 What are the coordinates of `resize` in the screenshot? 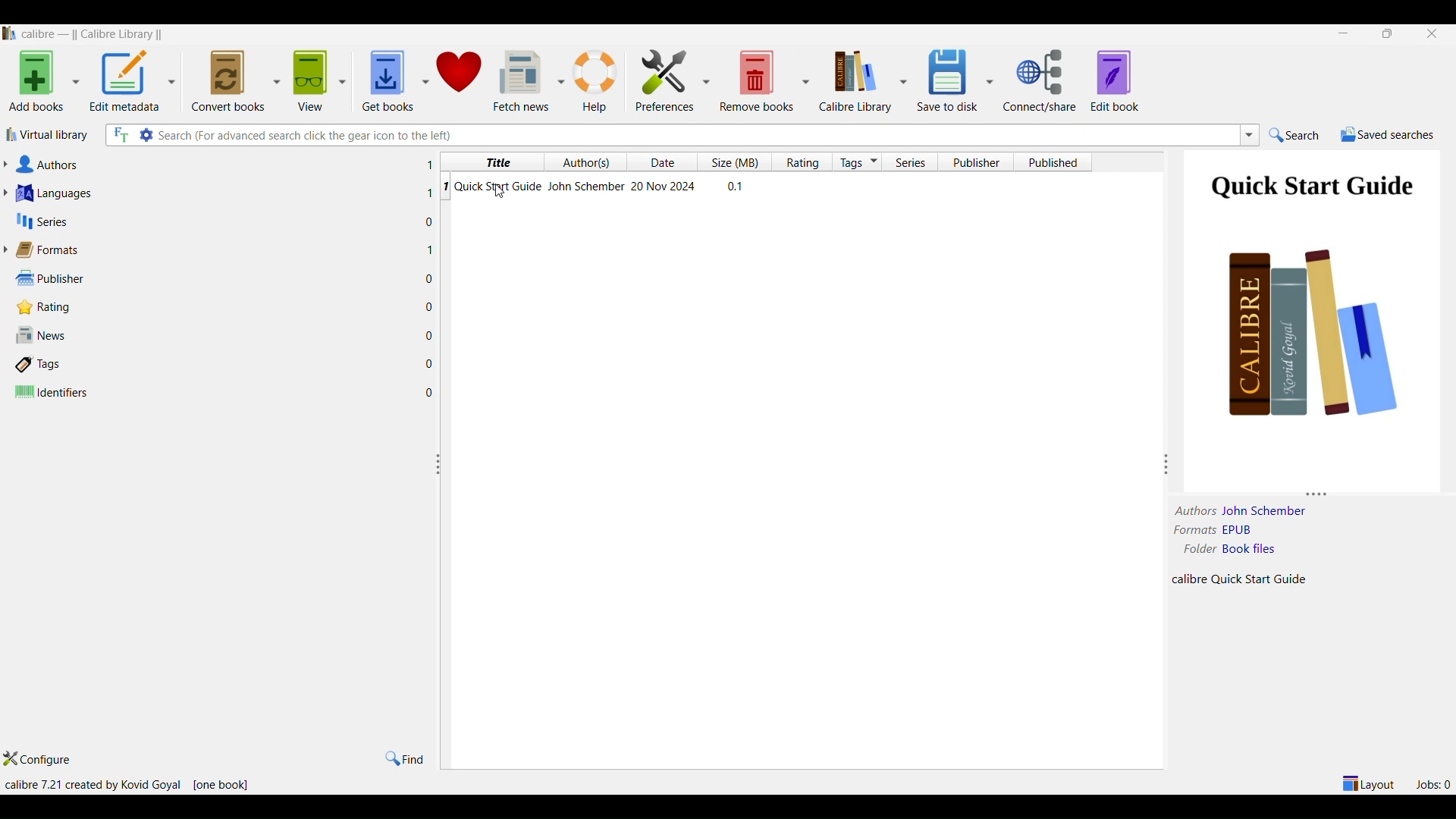 It's located at (1320, 490).